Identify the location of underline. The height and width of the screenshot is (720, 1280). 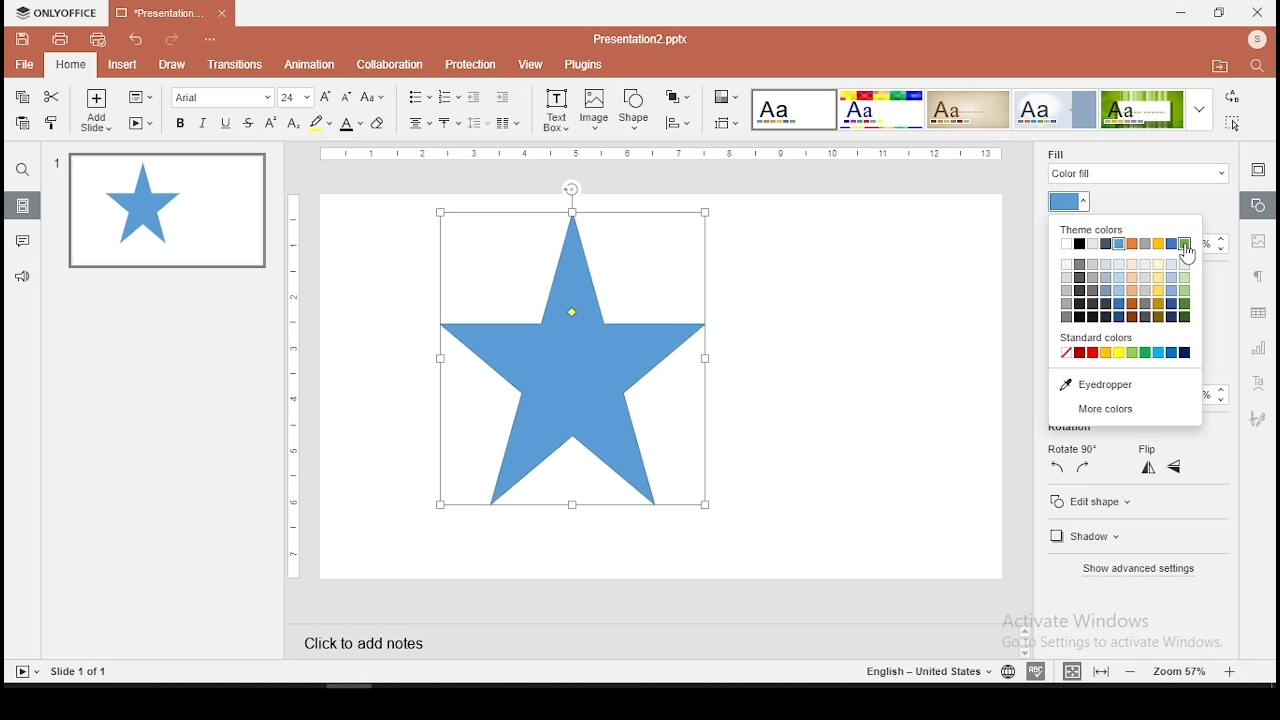
(226, 124).